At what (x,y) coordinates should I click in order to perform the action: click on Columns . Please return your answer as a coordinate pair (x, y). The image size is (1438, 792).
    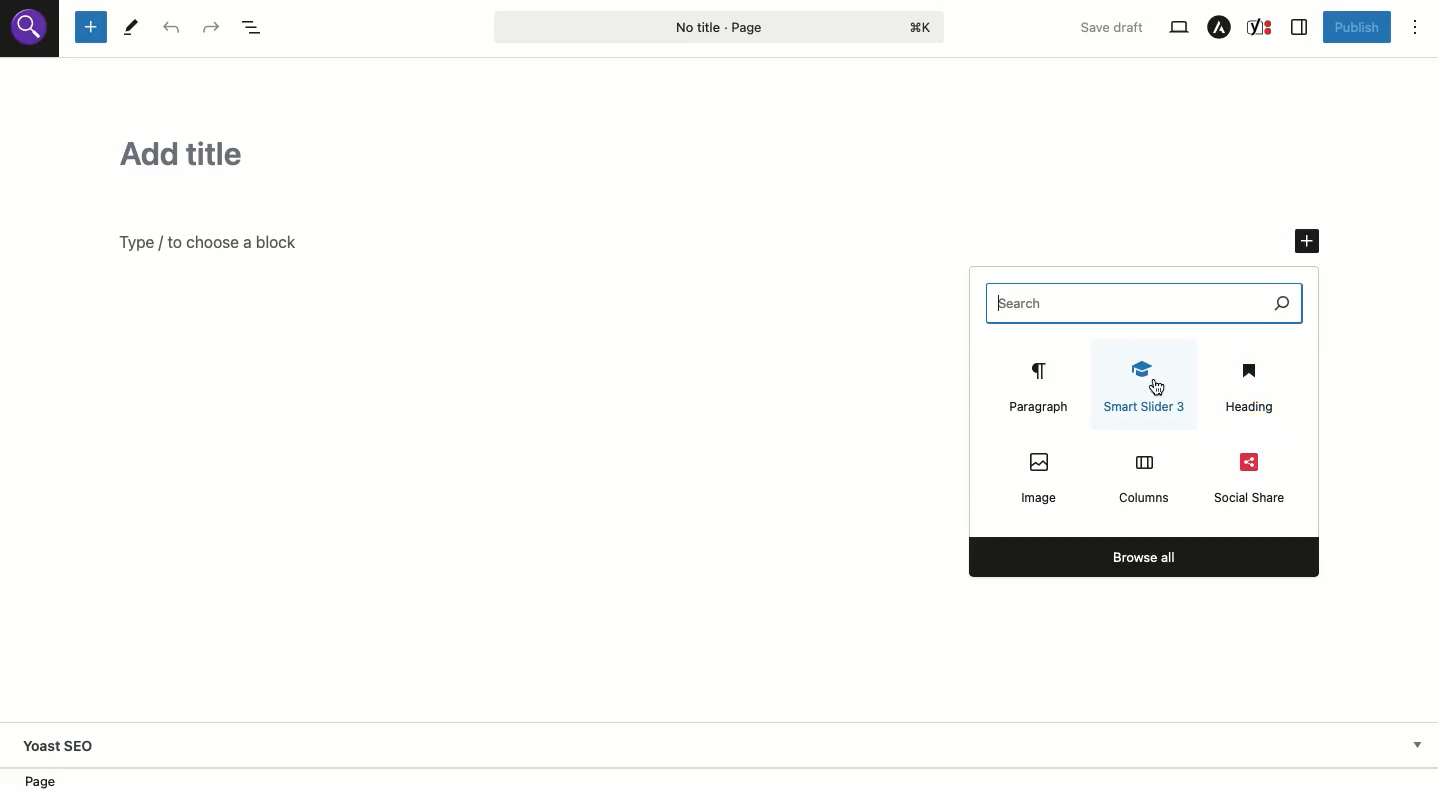
    Looking at the image, I should click on (1143, 478).